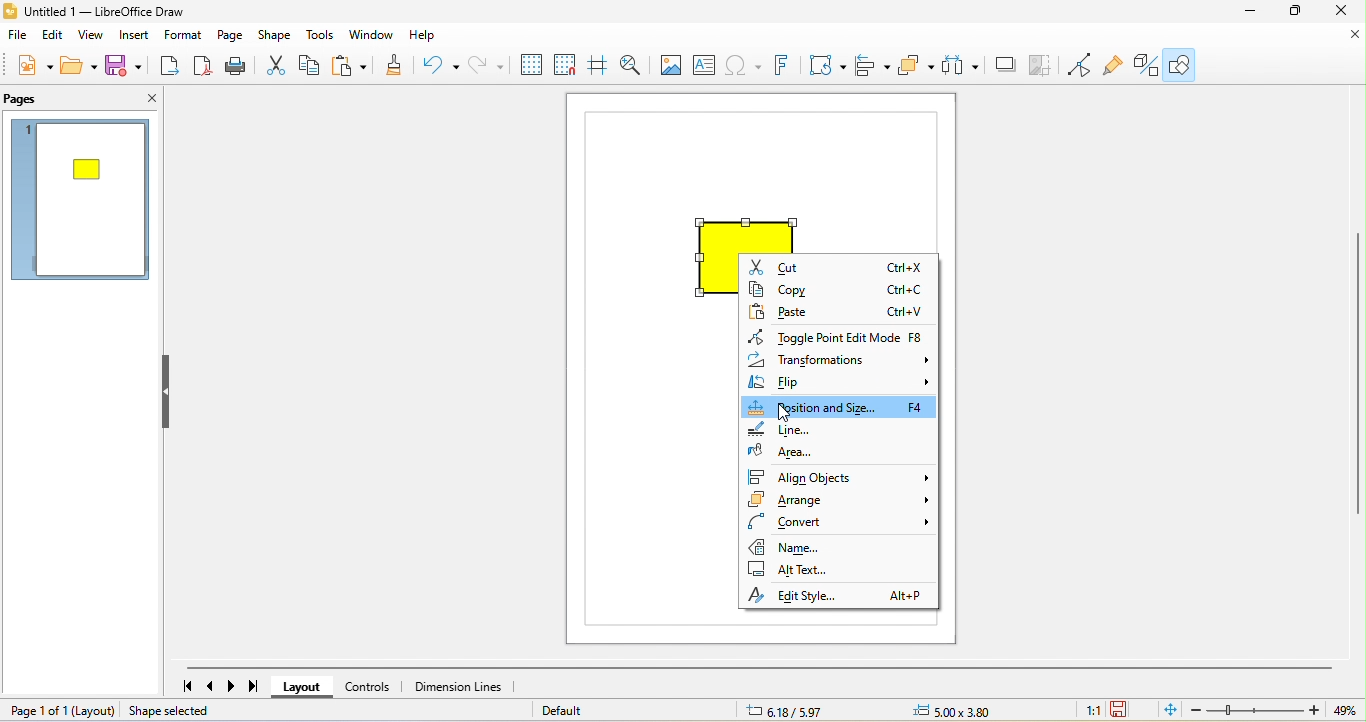 Image resolution: width=1366 pixels, height=722 pixels. Describe the element at coordinates (82, 204) in the screenshot. I see `page 1` at that location.